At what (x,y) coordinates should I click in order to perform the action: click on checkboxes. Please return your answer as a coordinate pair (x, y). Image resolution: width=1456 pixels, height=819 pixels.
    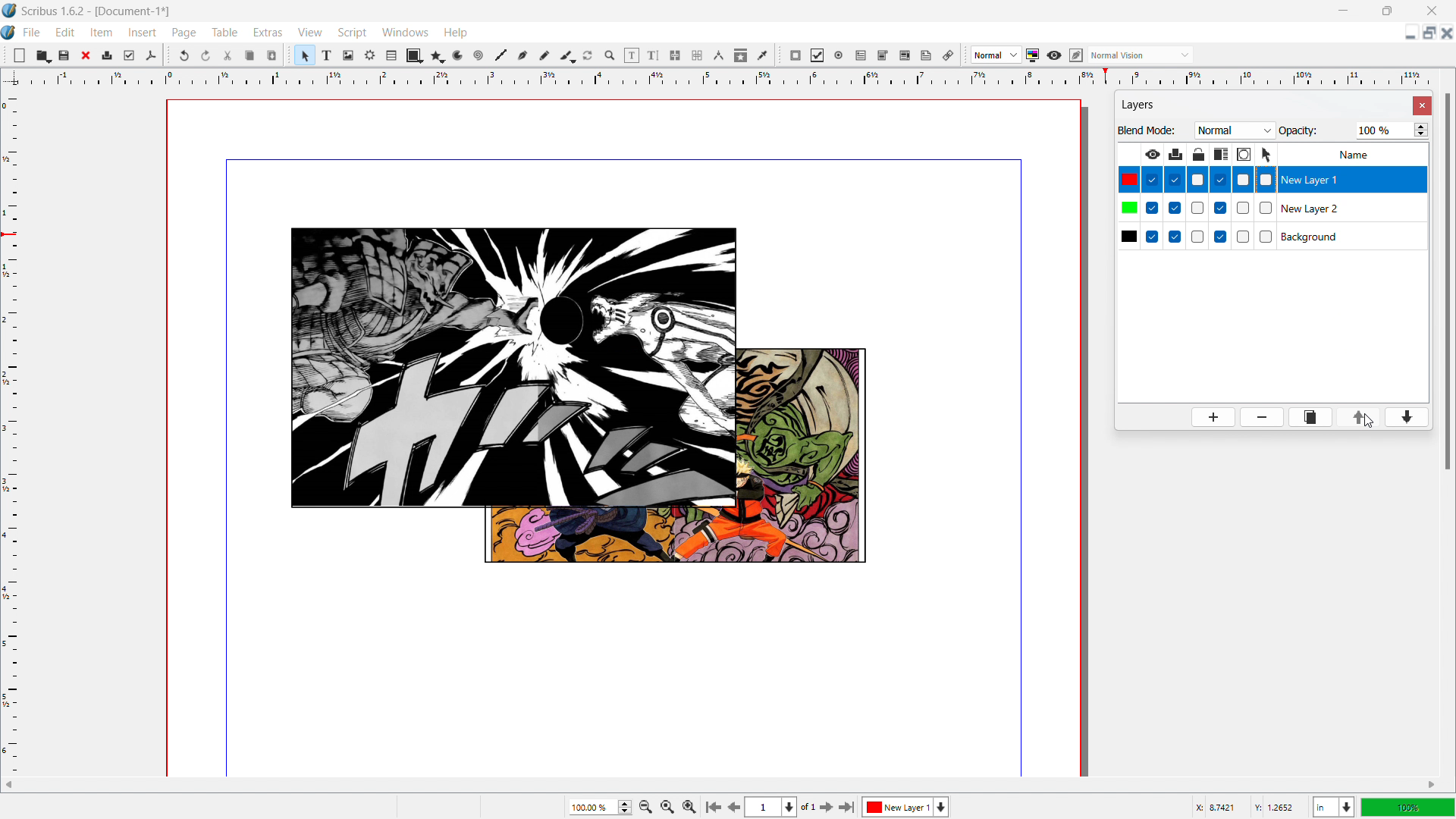
    Looking at the image, I should click on (1210, 208).